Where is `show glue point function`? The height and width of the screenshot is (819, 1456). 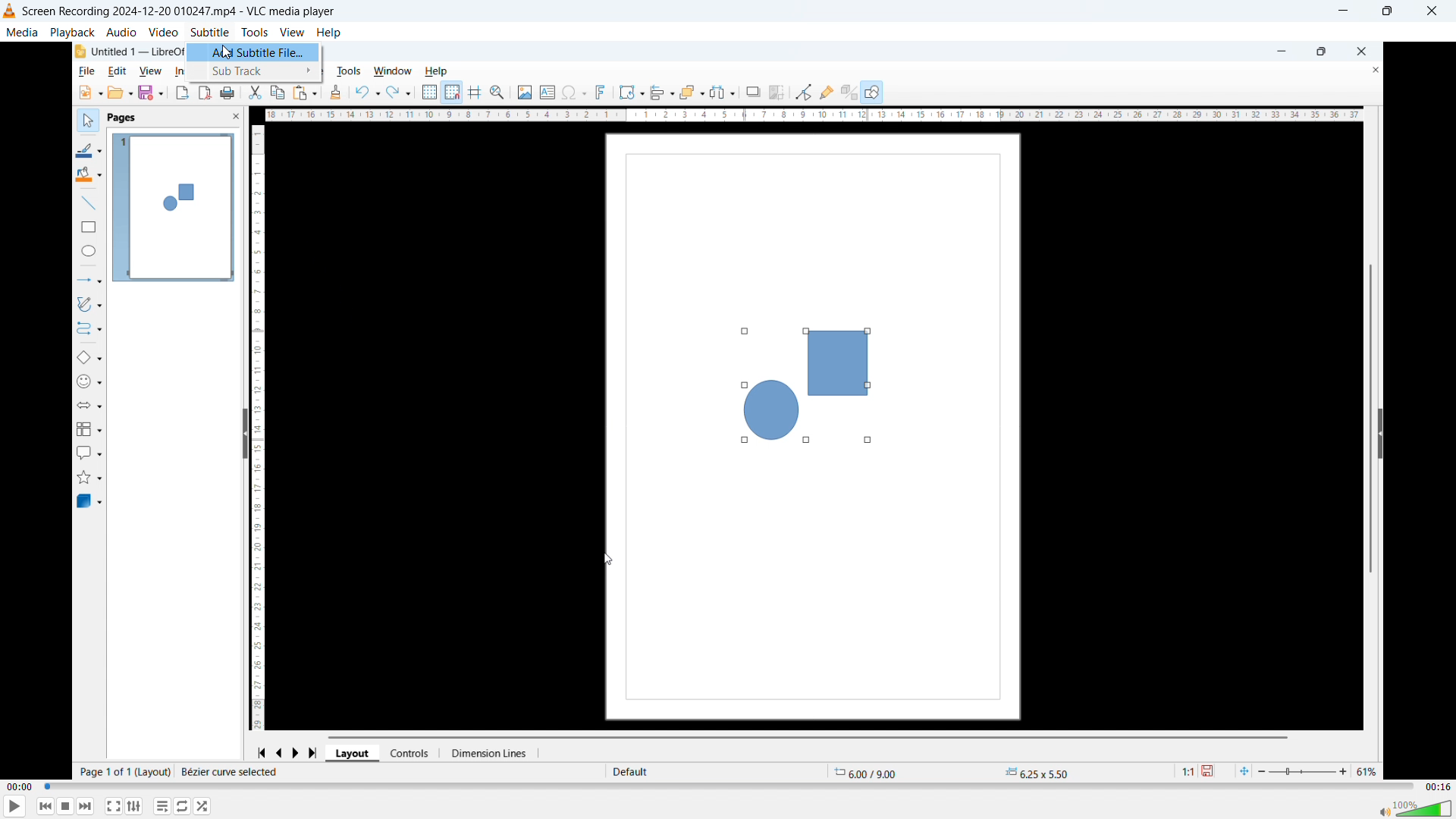 show glue point function is located at coordinates (827, 91).